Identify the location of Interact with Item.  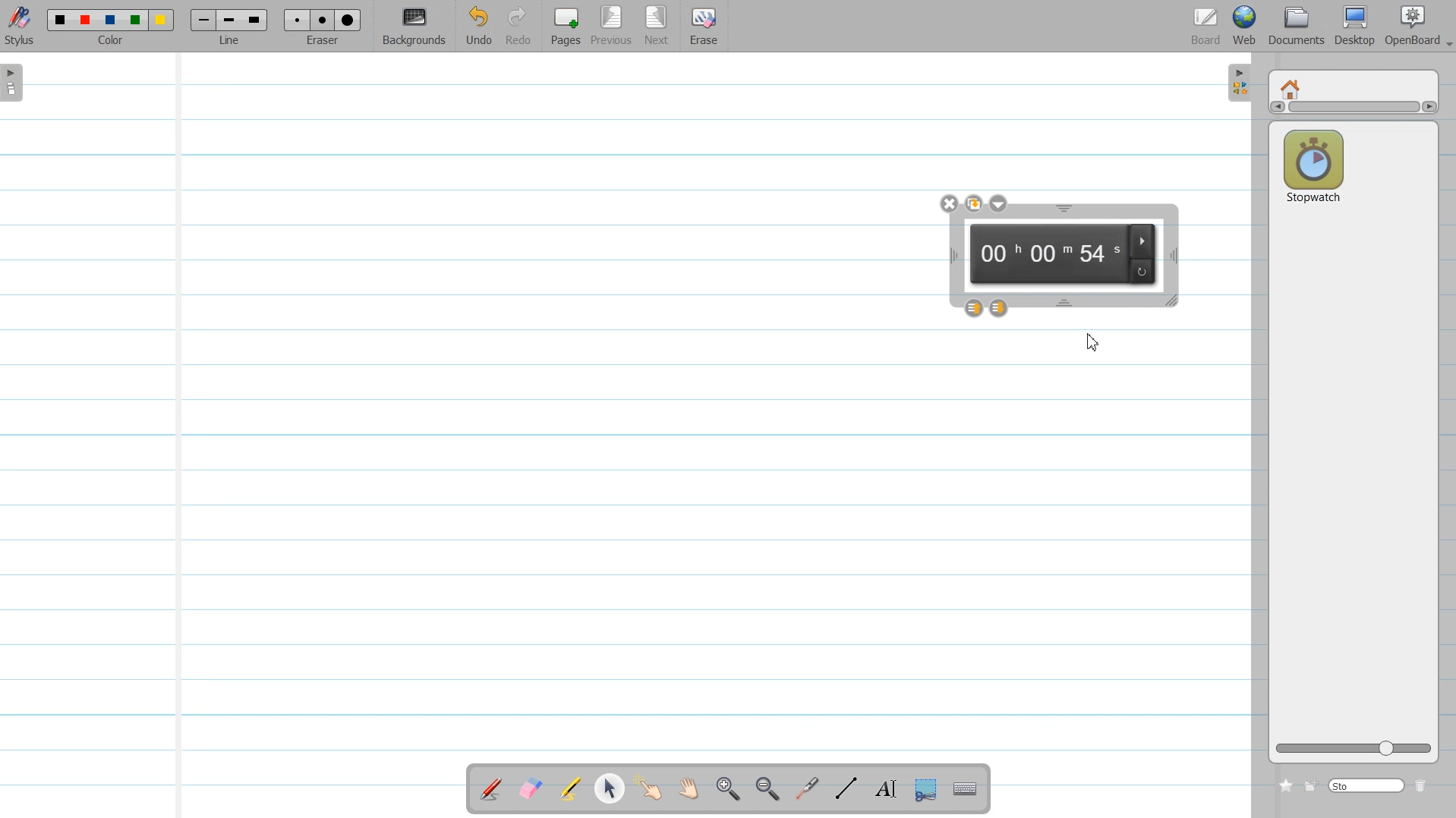
(653, 788).